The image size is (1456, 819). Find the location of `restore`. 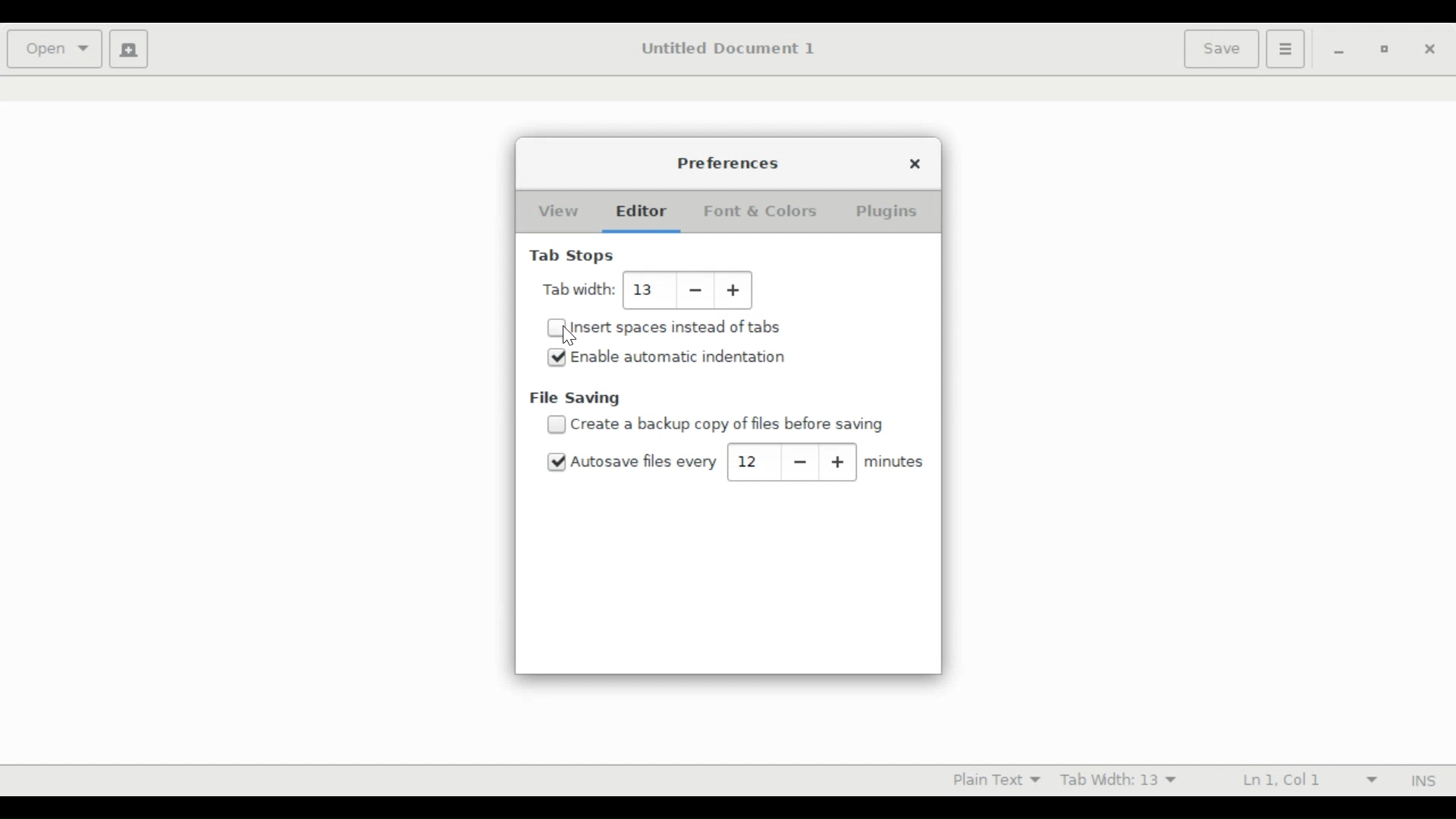

restore is located at coordinates (1382, 49).